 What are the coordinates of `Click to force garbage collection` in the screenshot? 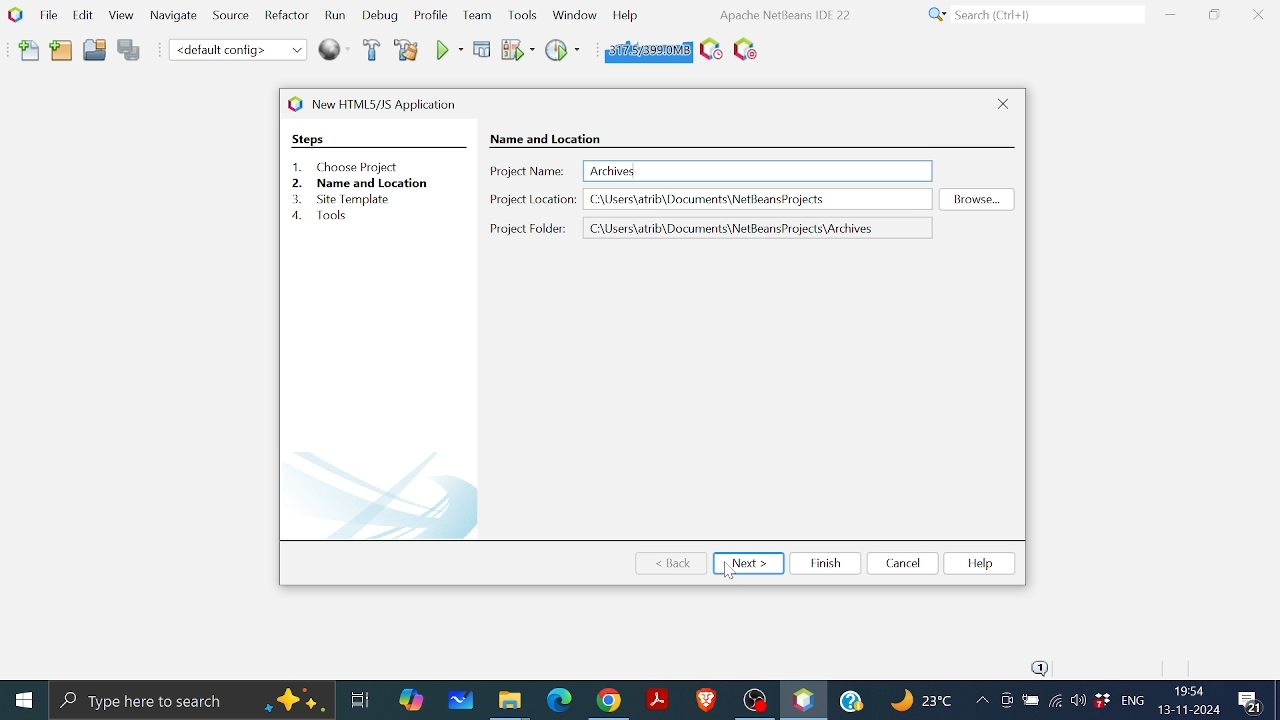 It's located at (646, 49).